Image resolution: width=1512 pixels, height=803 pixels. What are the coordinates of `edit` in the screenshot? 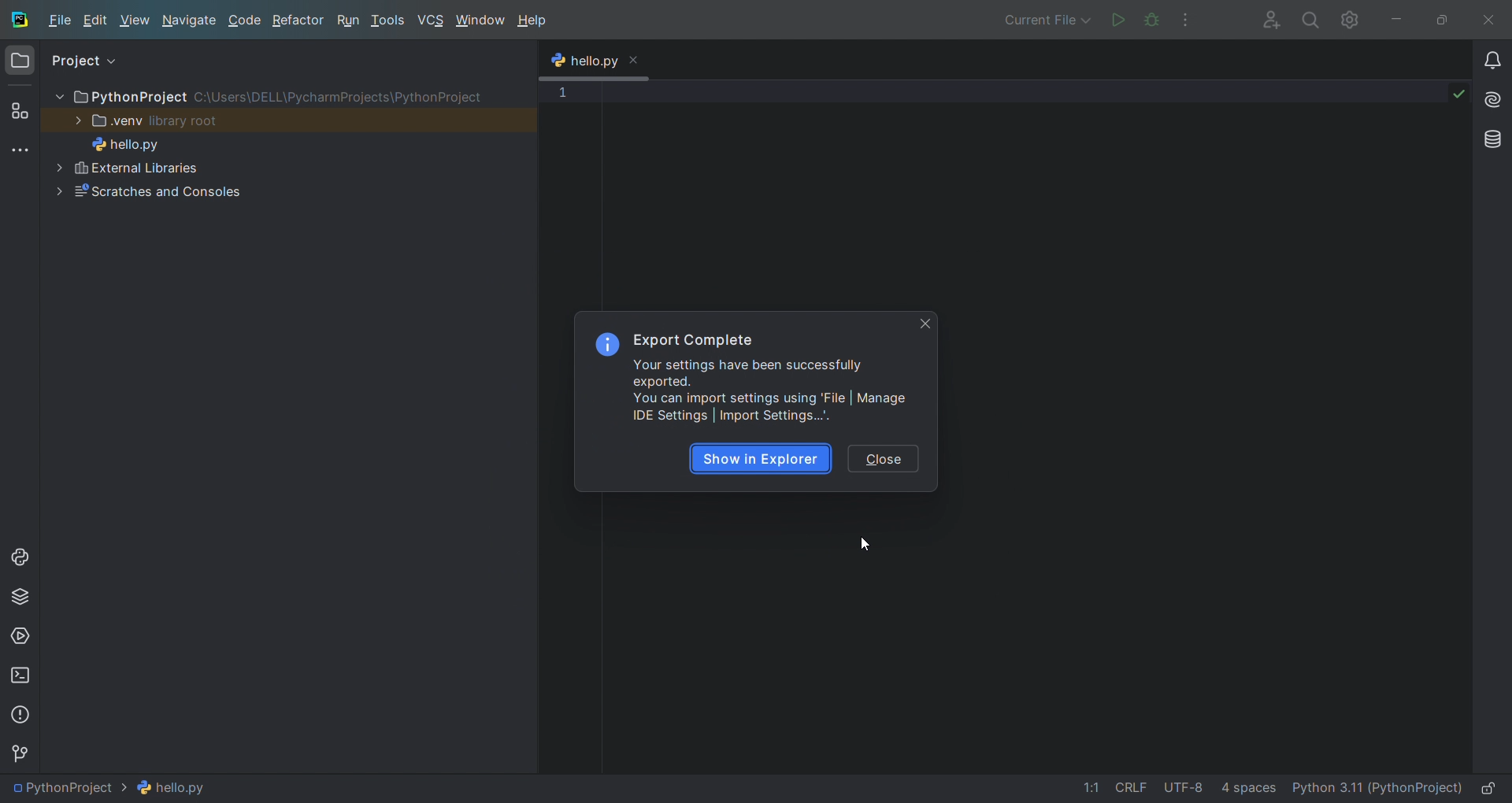 It's located at (98, 22).